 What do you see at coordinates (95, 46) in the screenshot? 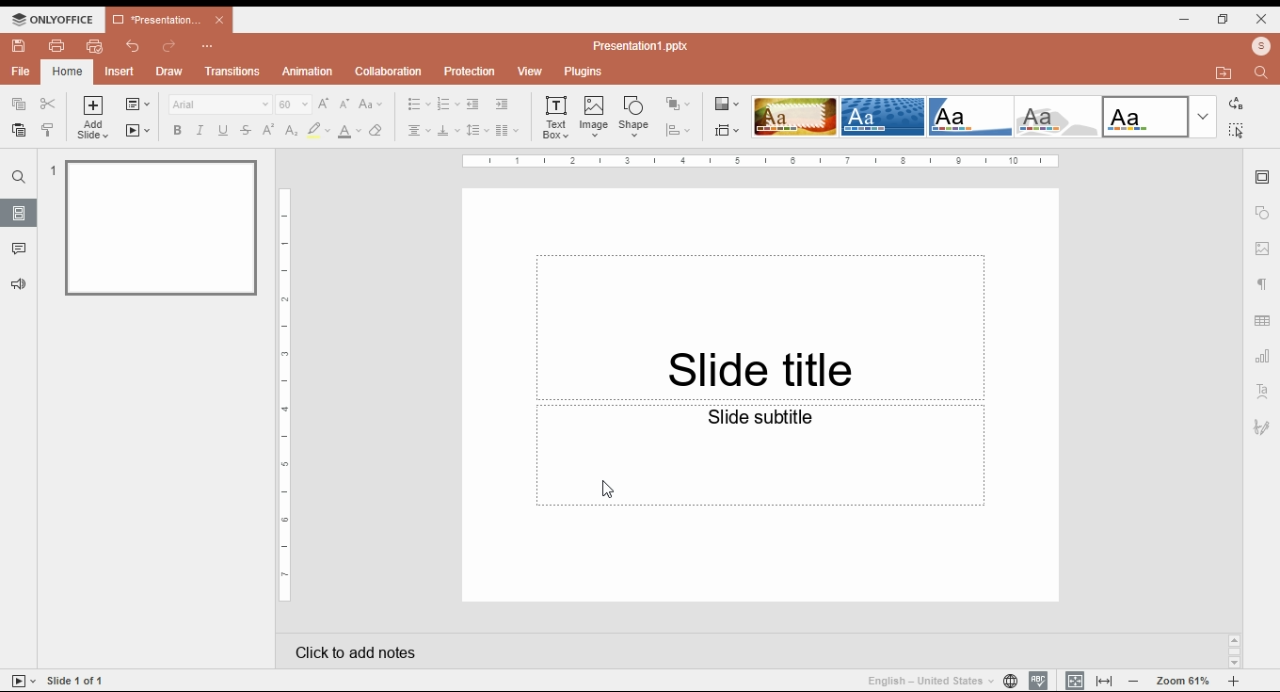
I see `quick print ` at bounding box center [95, 46].